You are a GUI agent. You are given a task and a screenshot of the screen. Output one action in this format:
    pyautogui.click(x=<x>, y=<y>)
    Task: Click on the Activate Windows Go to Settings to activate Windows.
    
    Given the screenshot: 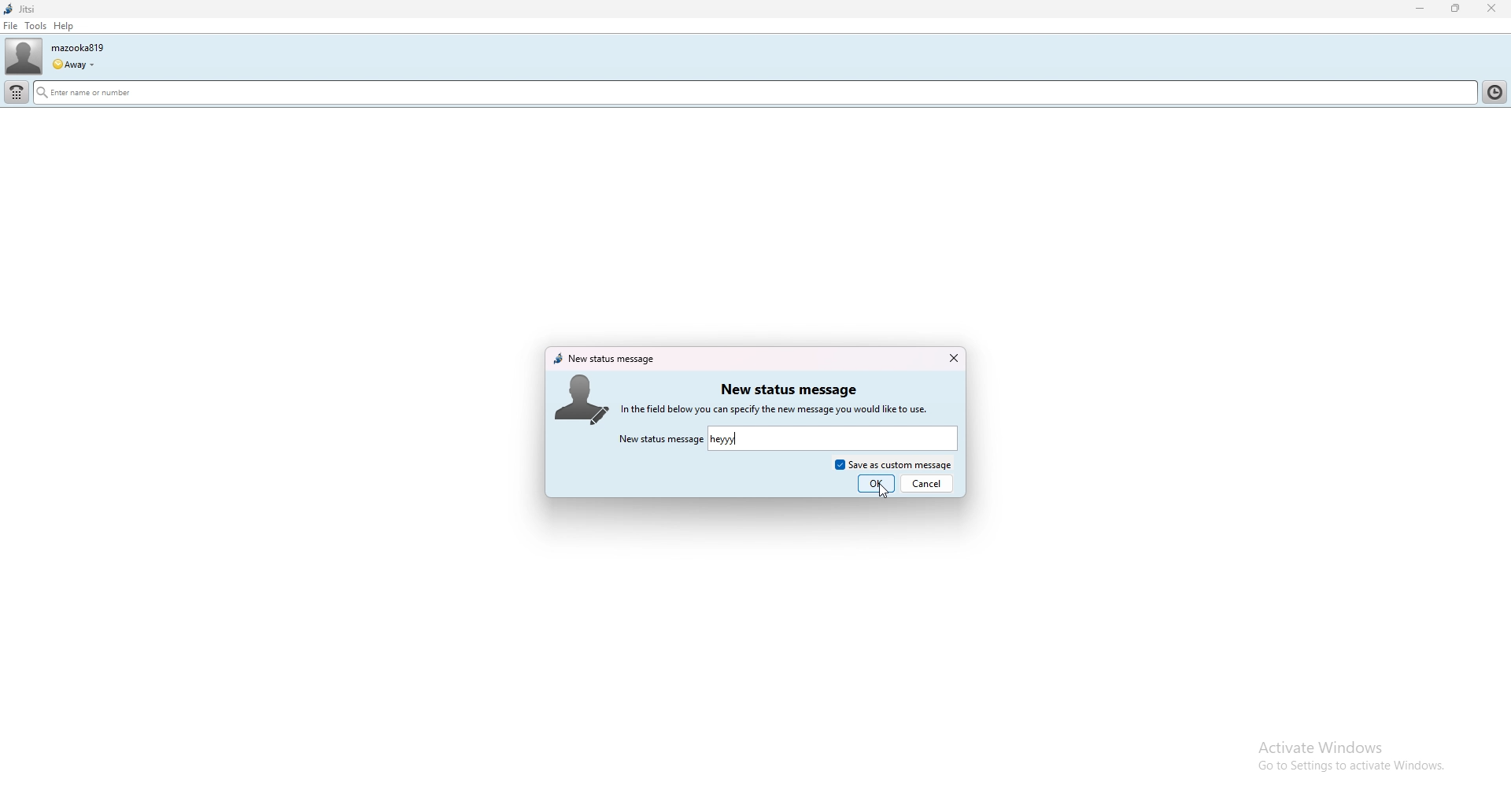 What is the action you would take?
    pyautogui.click(x=1336, y=755)
    